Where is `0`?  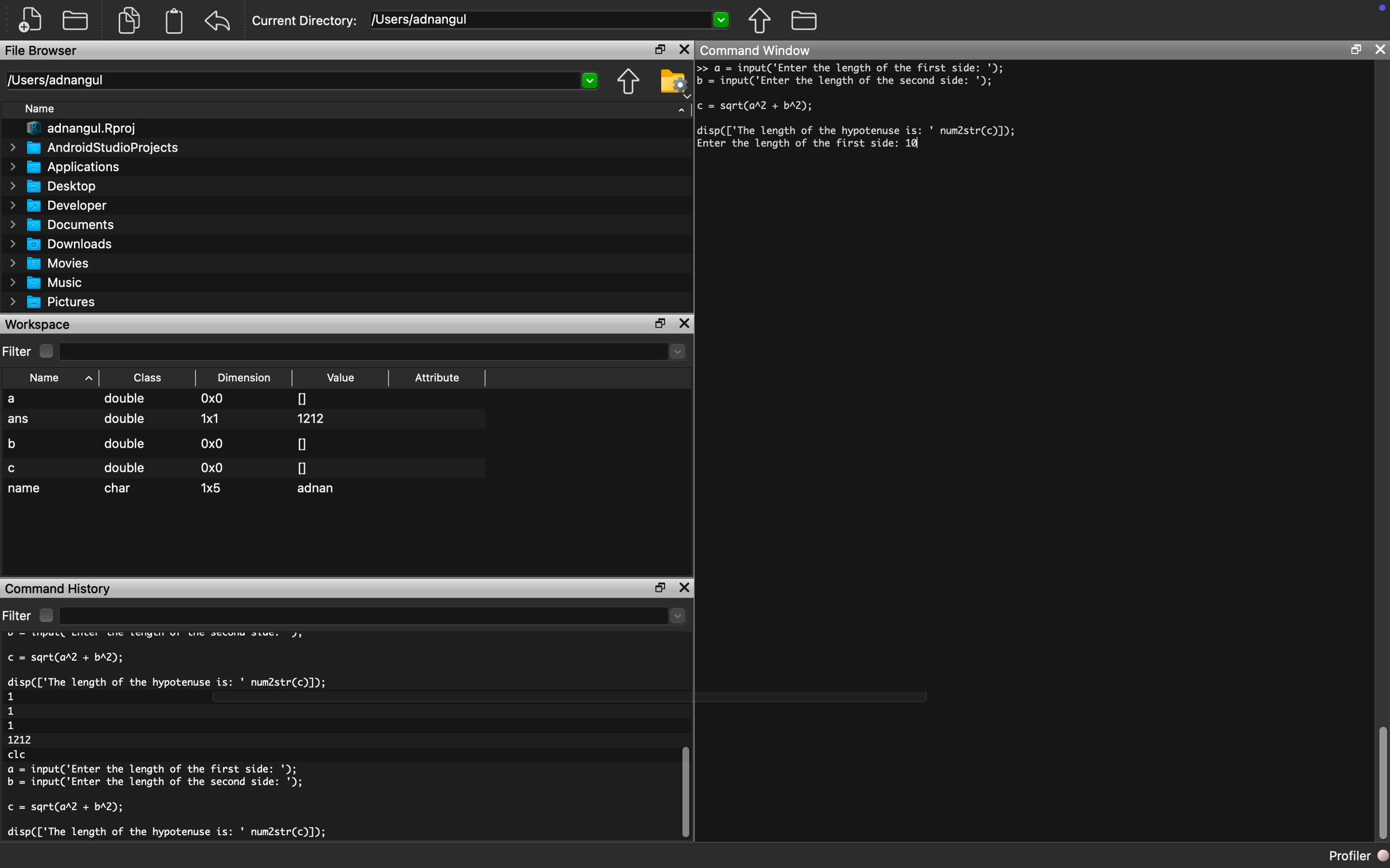 0 is located at coordinates (303, 397).